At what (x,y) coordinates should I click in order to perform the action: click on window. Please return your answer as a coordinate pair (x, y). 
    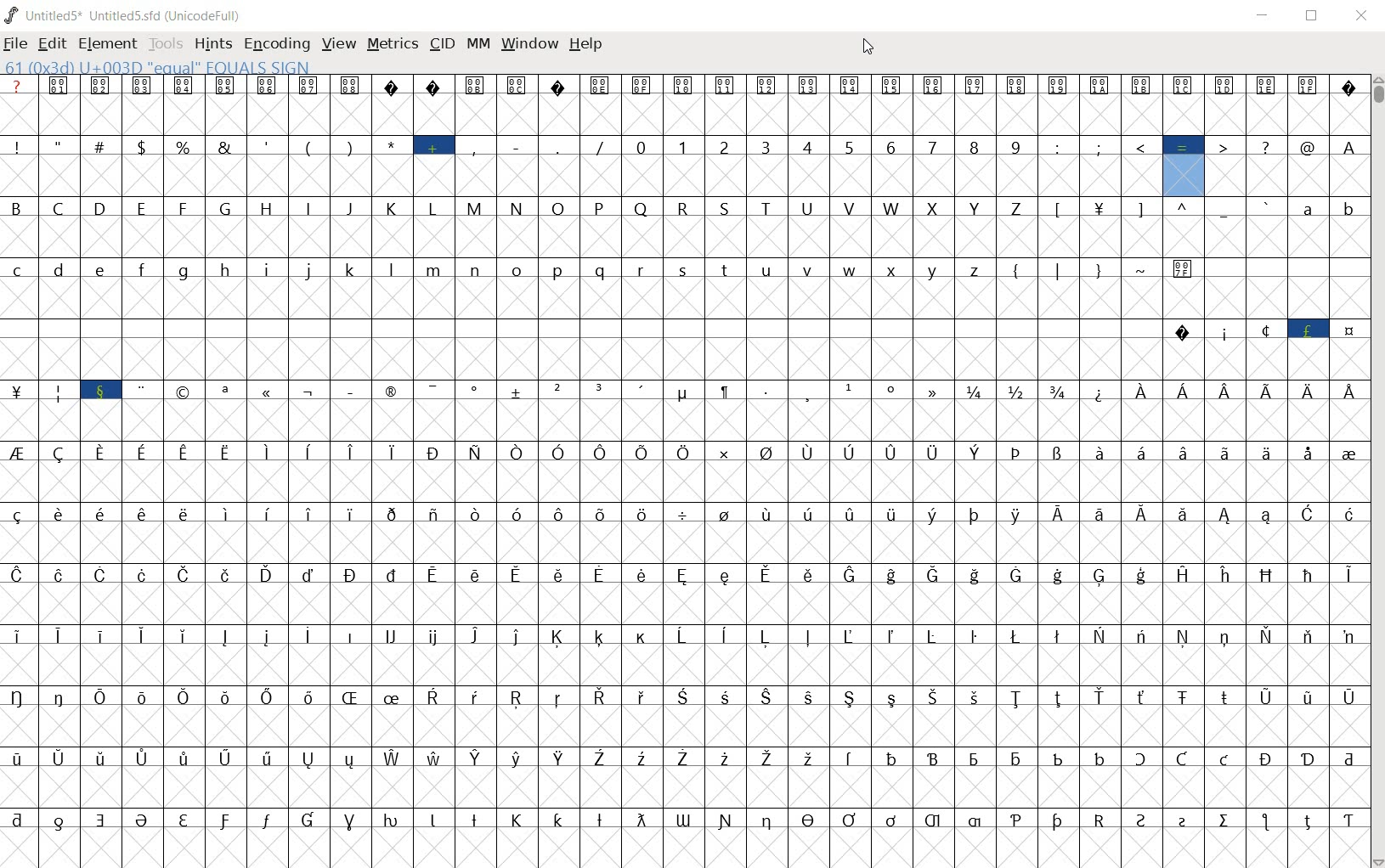
    Looking at the image, I should click on (529, 44).